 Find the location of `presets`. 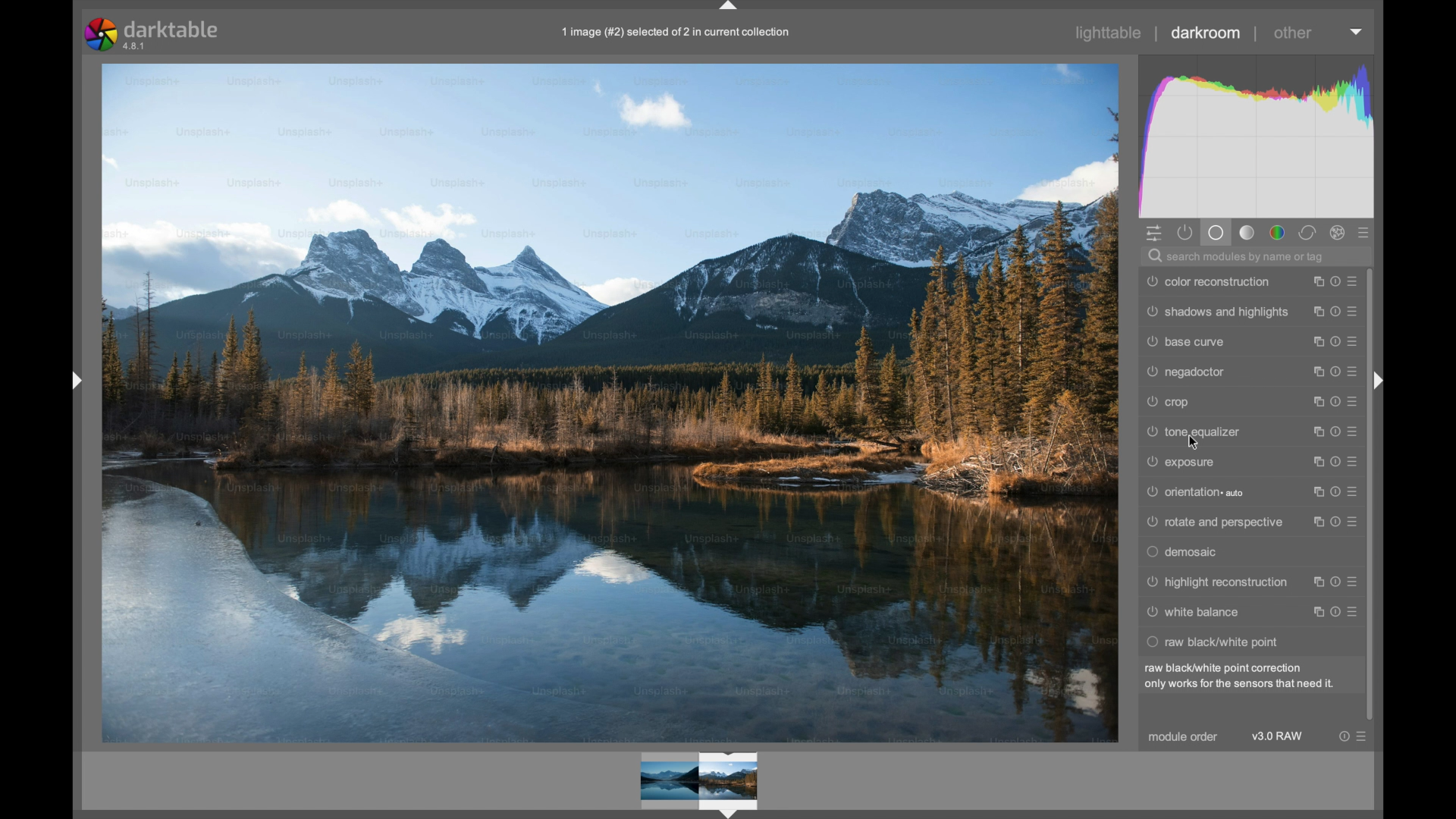

presets is located at coordinates (1357, 312).